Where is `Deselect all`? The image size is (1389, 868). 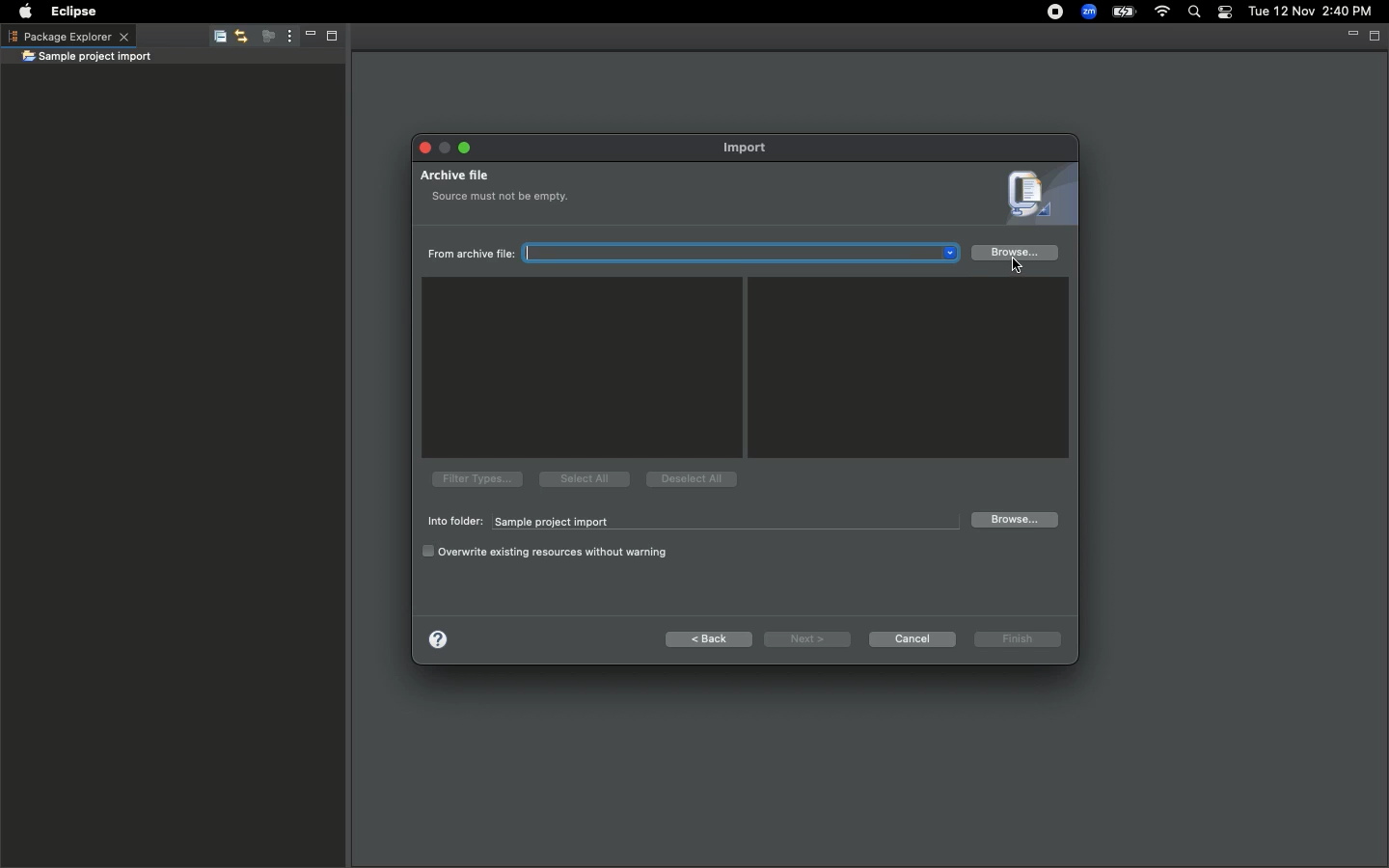
Deselect all is located at coordinates (693, 480).